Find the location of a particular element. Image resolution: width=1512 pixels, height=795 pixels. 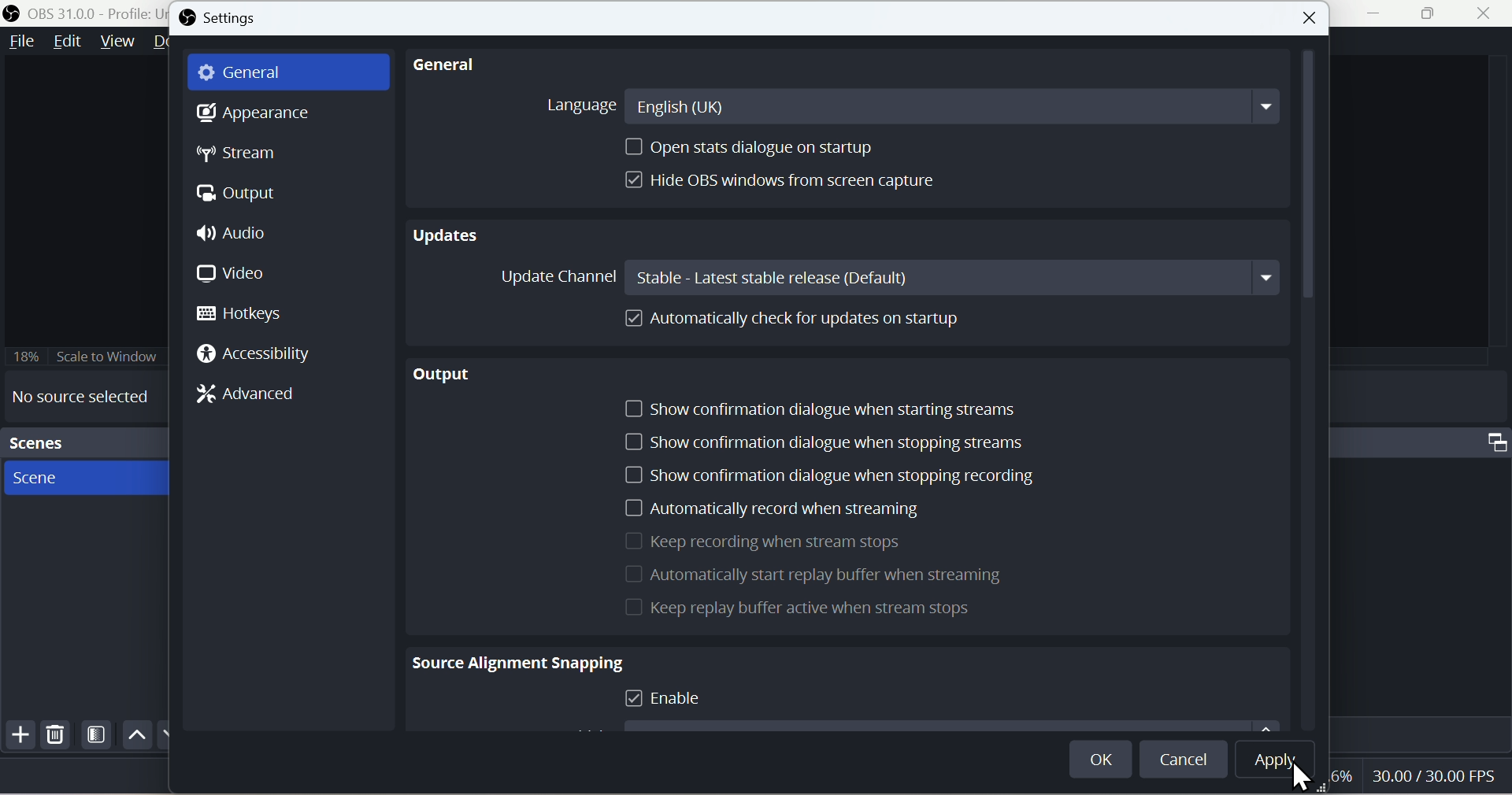

Source Alignment Snapping is located at coordinates (513, 660).